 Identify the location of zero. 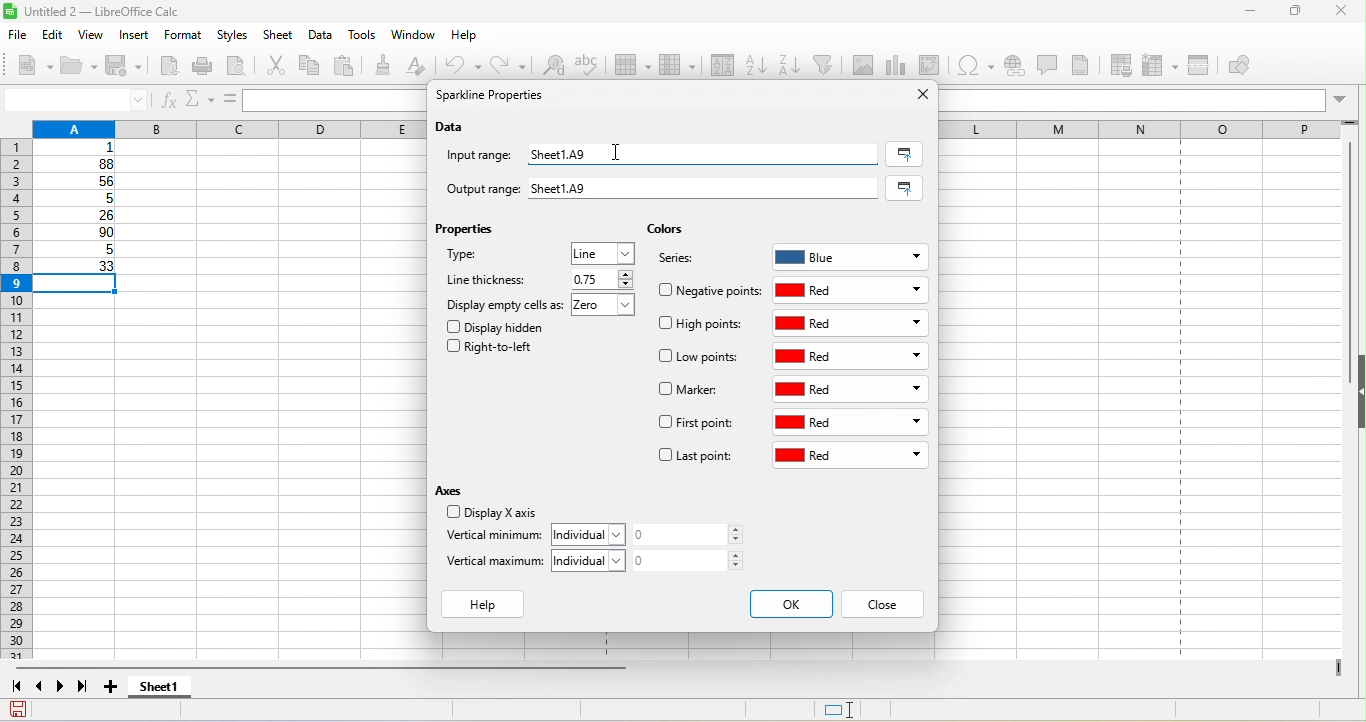
(608, 307).